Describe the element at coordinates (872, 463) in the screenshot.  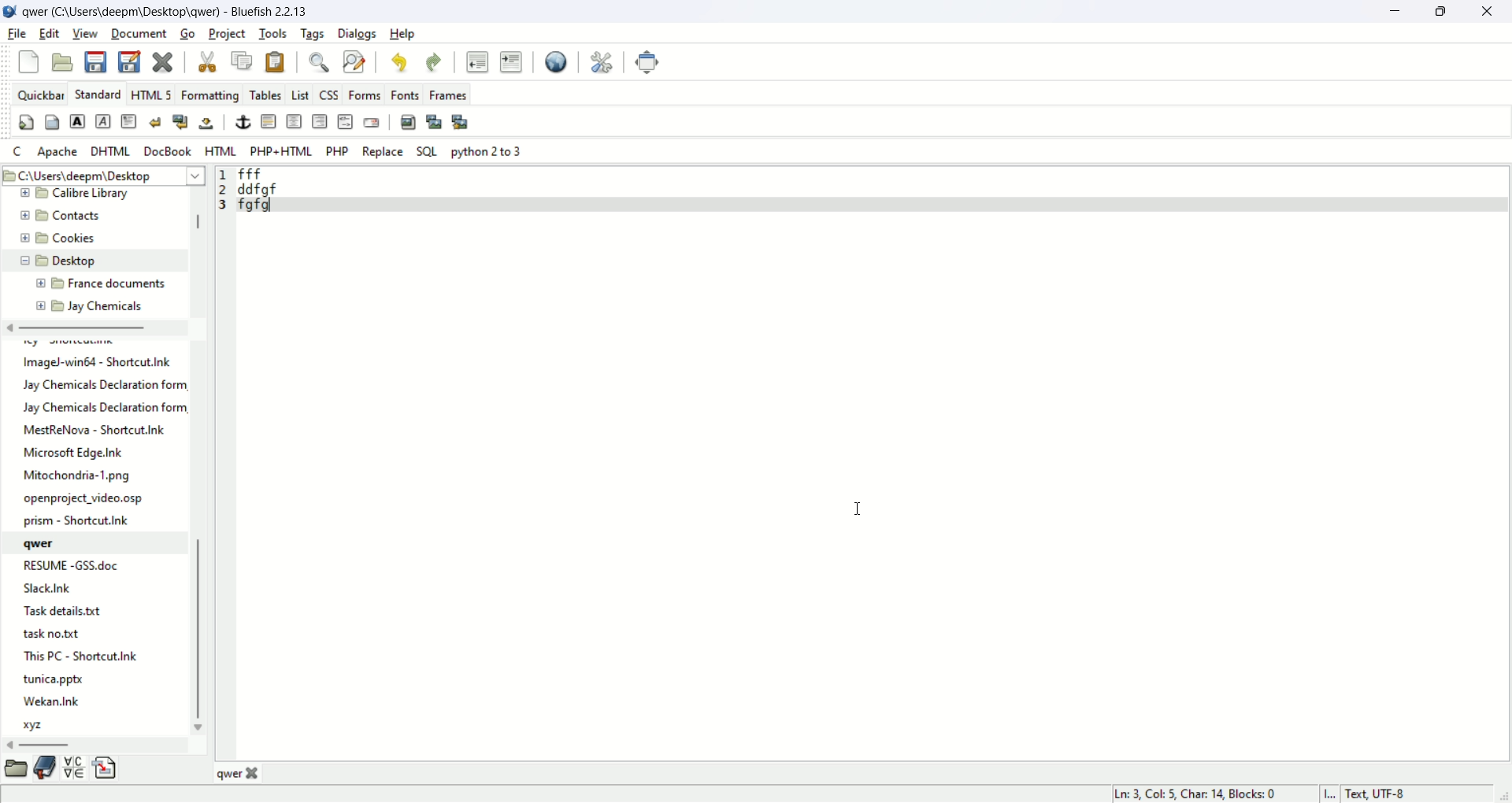
I see `workspace` at that location.